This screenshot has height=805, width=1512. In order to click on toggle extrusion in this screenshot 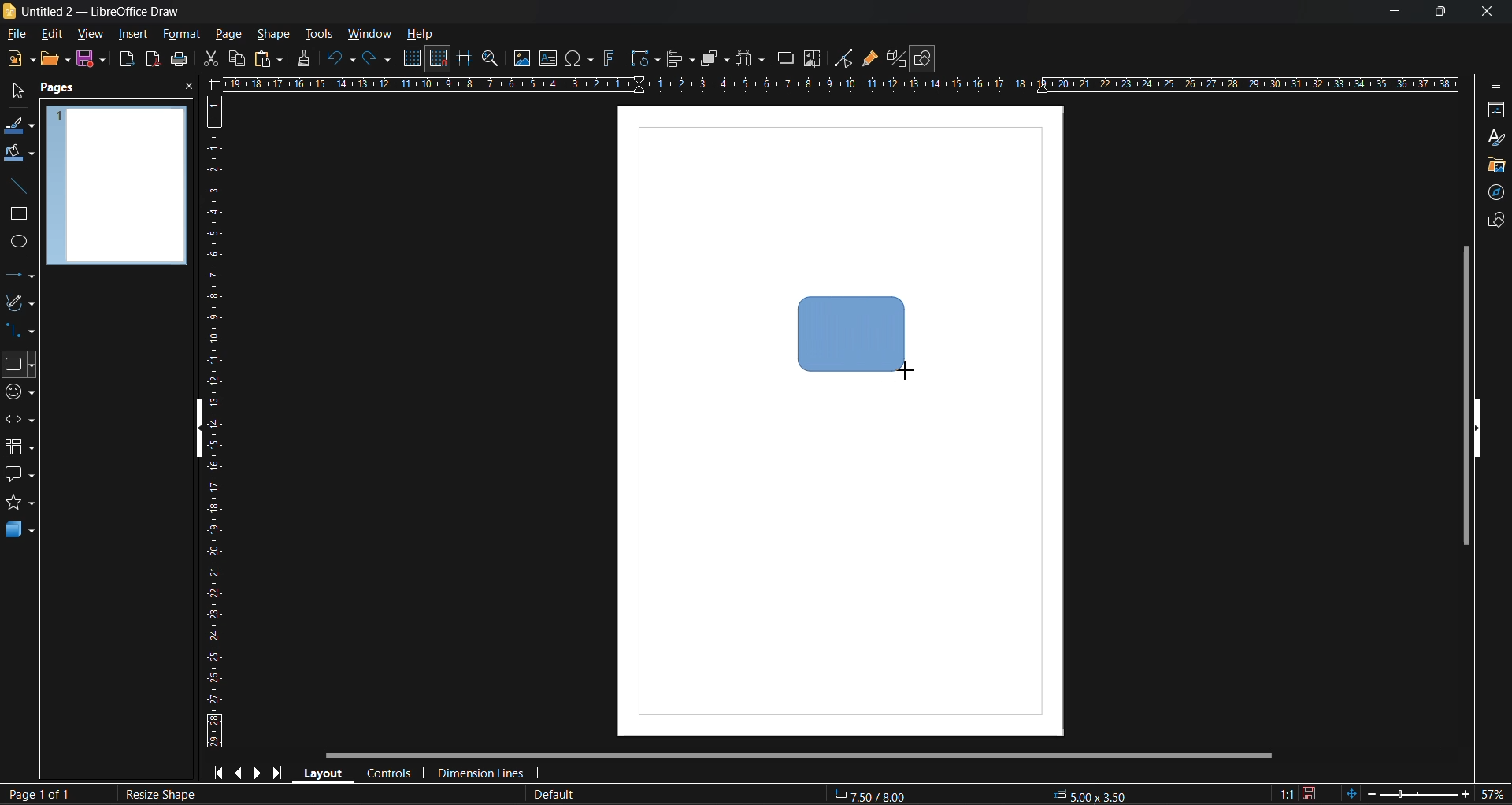, I will do `click(894, 58)`.